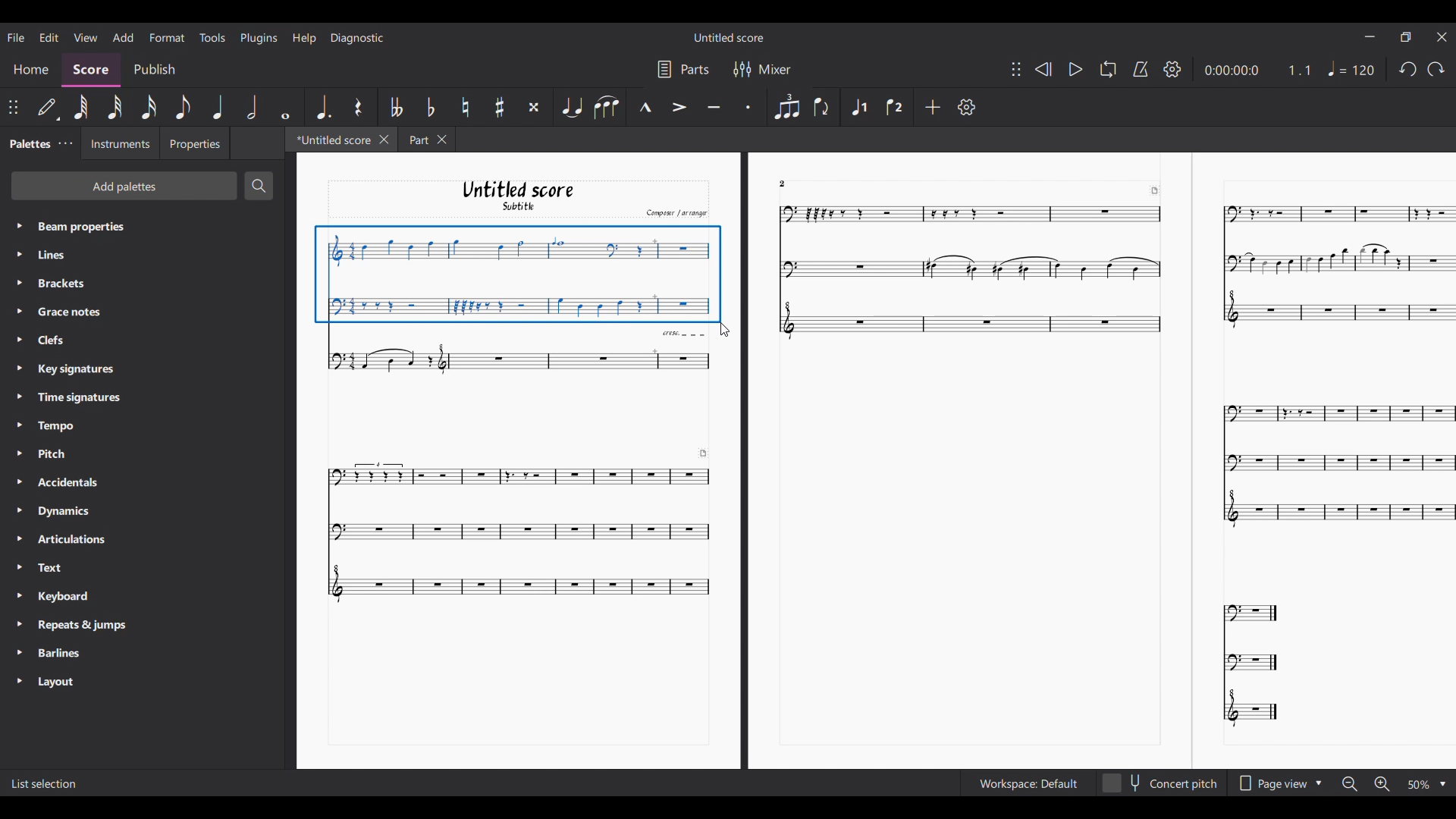 The height and width of the screenshot is (819, 1456). I want to click on Toggle double sharp, so click(533, 106).